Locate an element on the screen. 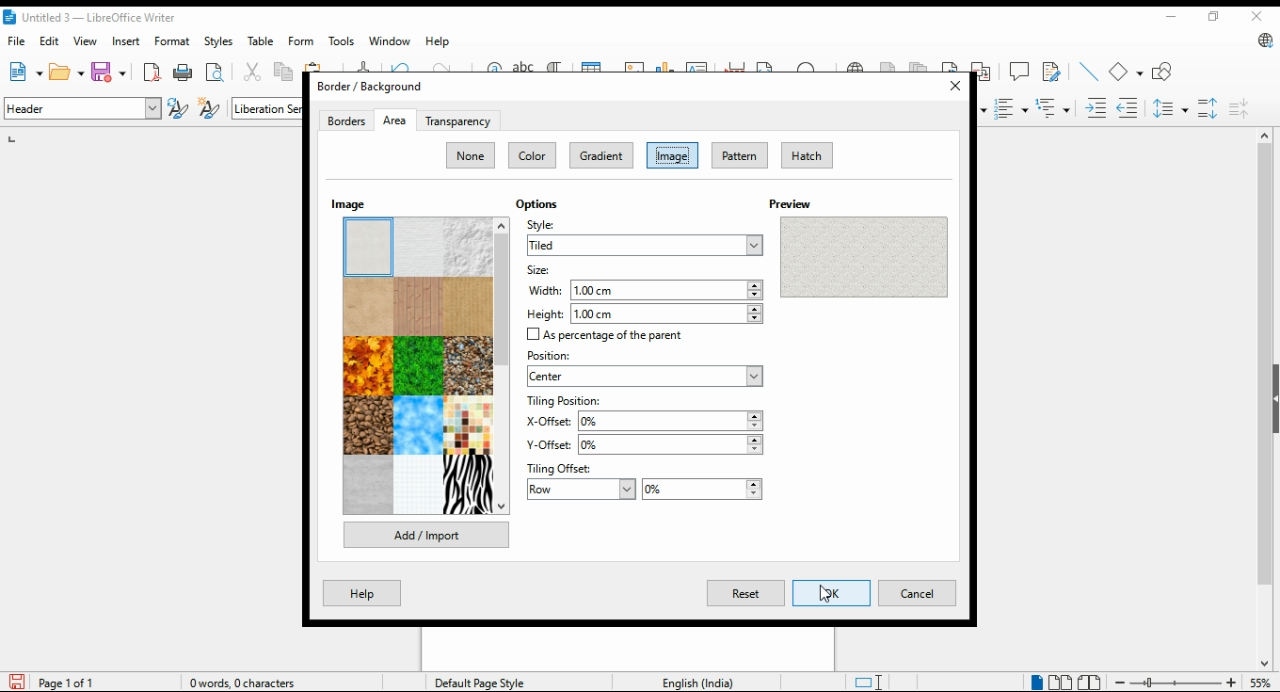 This screenshot has width=1280, height=692. close window is located at coordinates (953, 86).